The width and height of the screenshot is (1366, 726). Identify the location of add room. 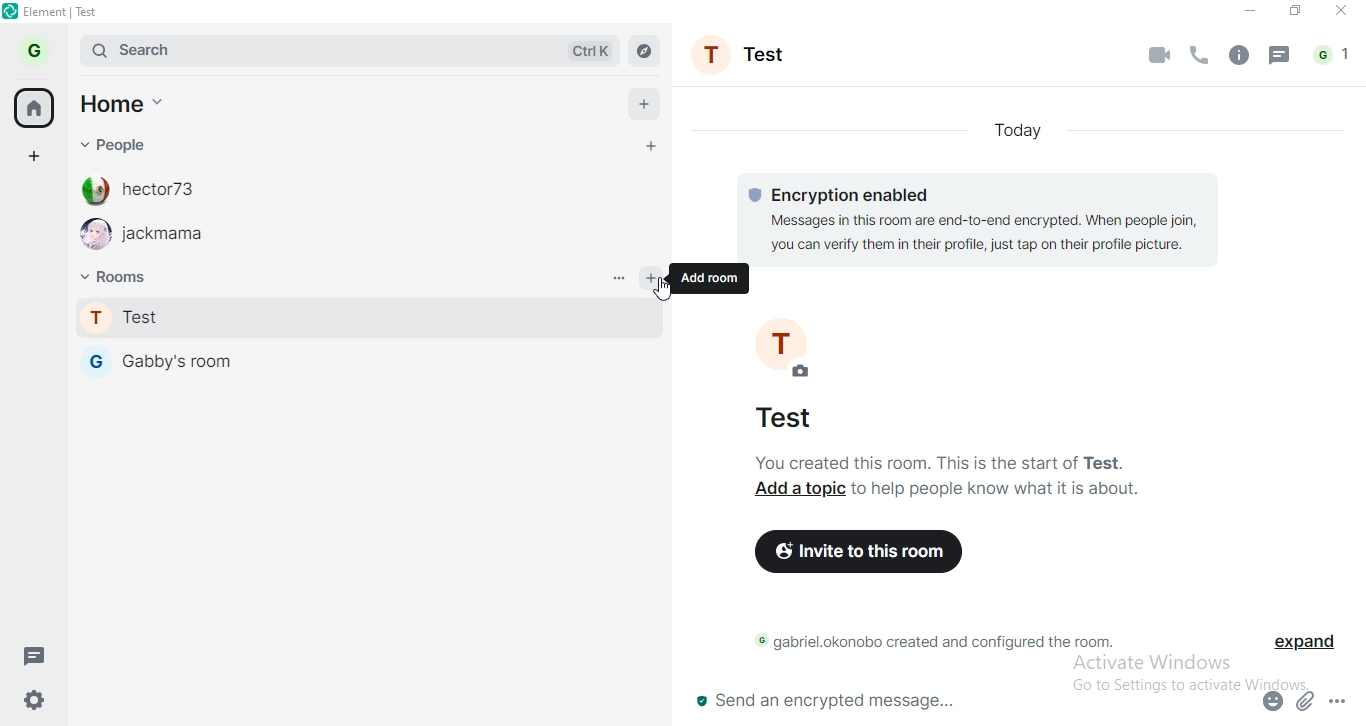
(652, 277).